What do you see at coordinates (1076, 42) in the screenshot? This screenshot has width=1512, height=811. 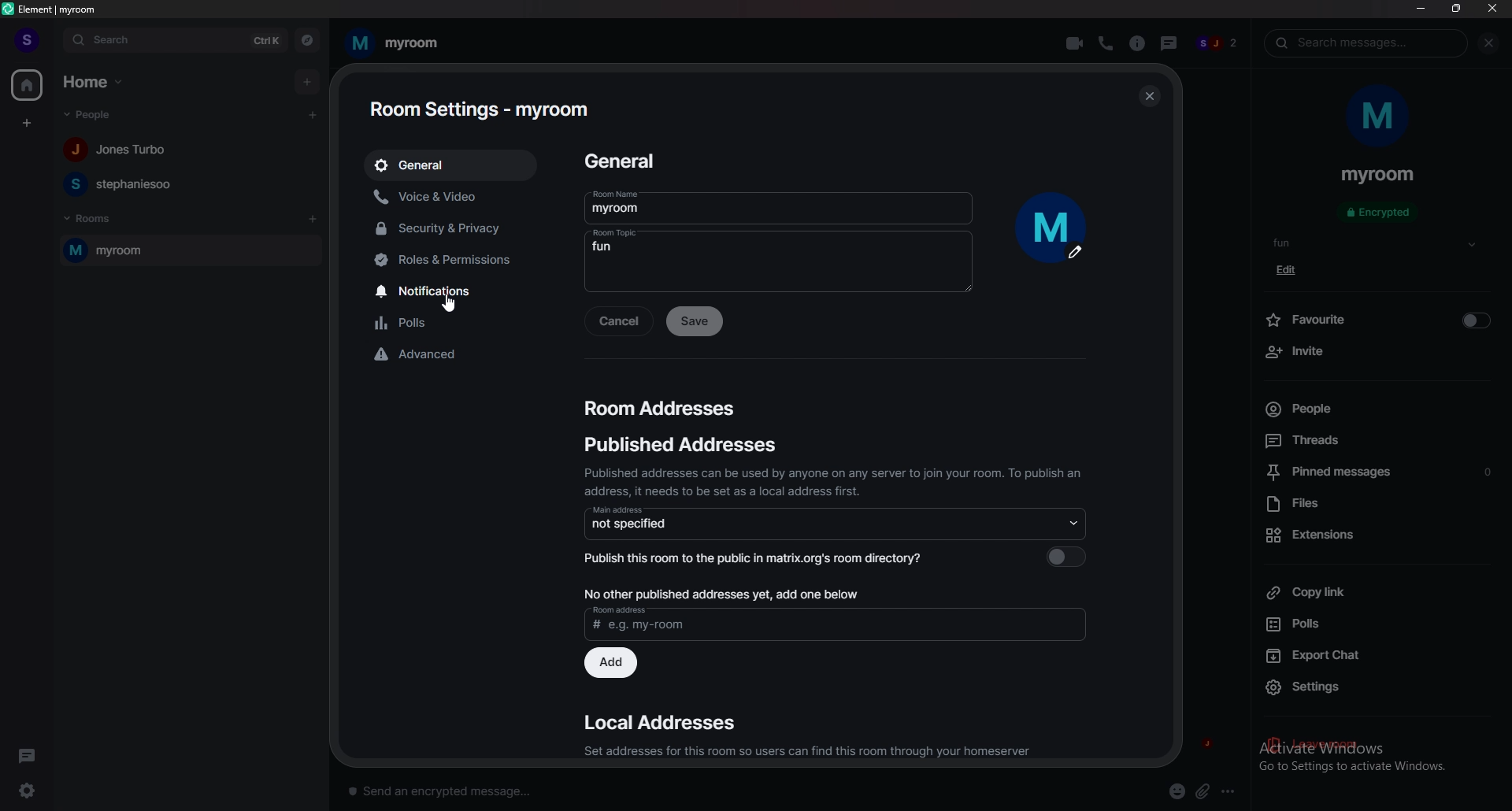 I see `video call` at bounding box center [1076, 42].